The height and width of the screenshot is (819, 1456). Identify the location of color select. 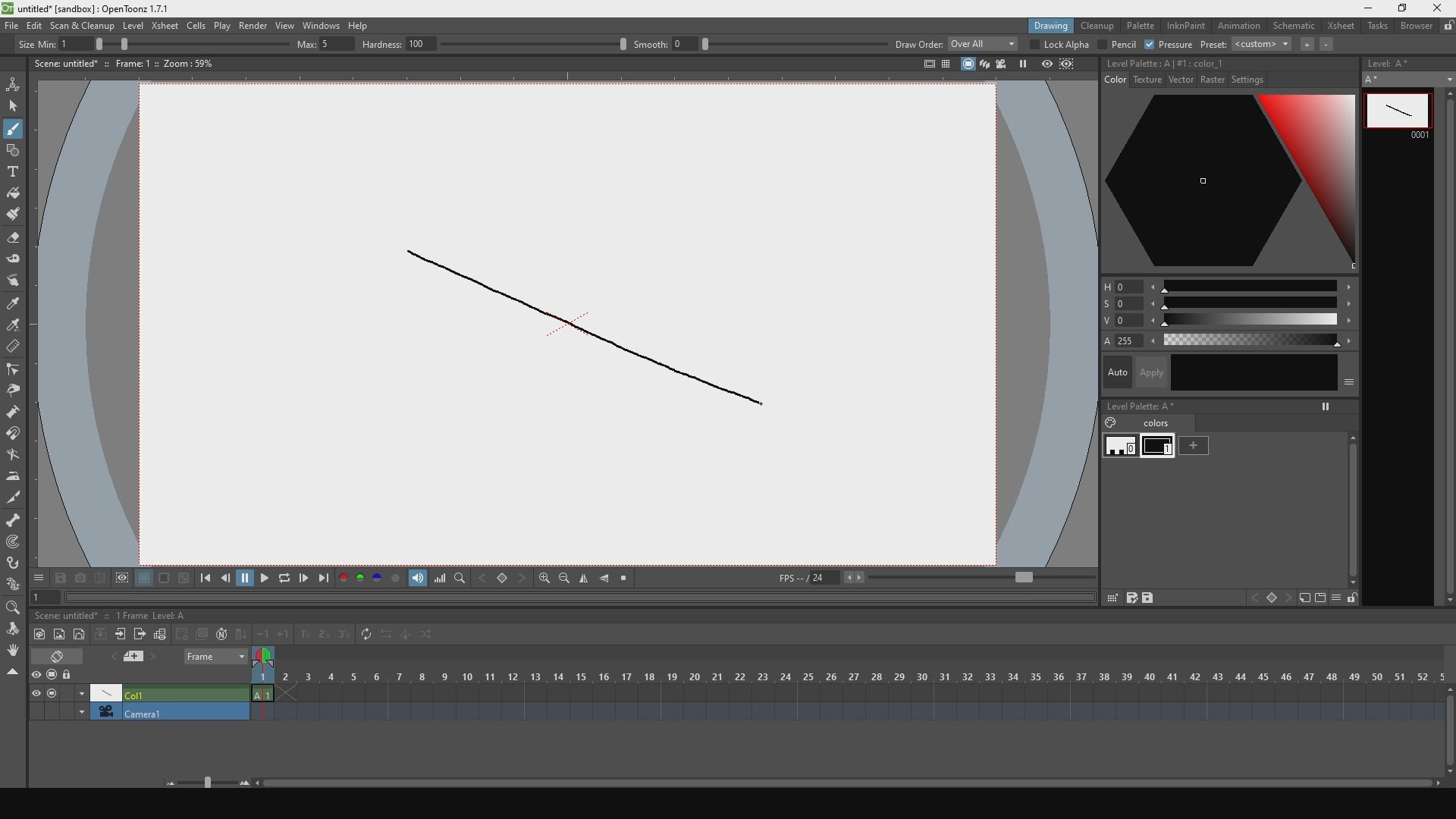
(14, 327).